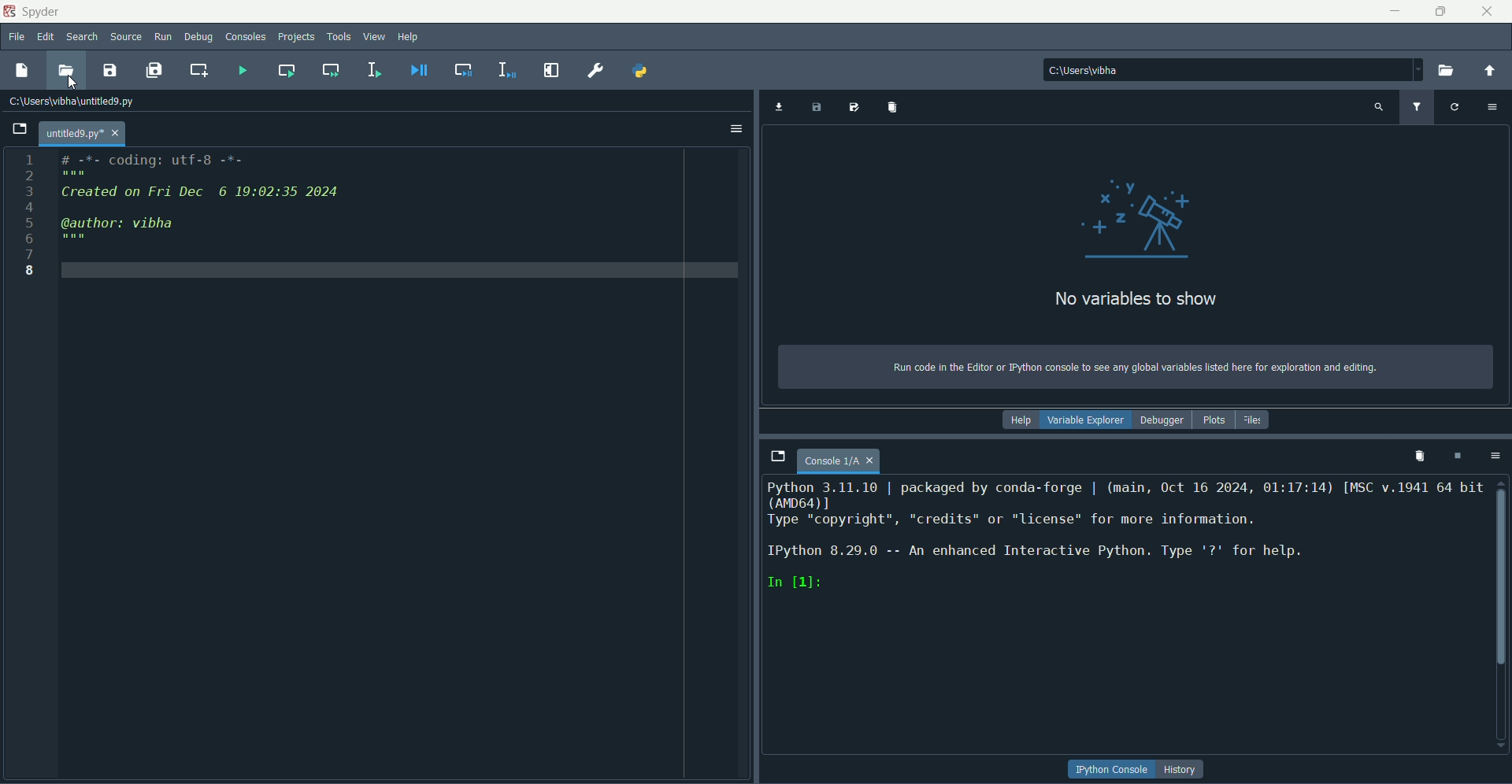 The image size is (1512, 784). Describe the element at coordinates (126, 38) in the screenshot. I see `source` at that location.